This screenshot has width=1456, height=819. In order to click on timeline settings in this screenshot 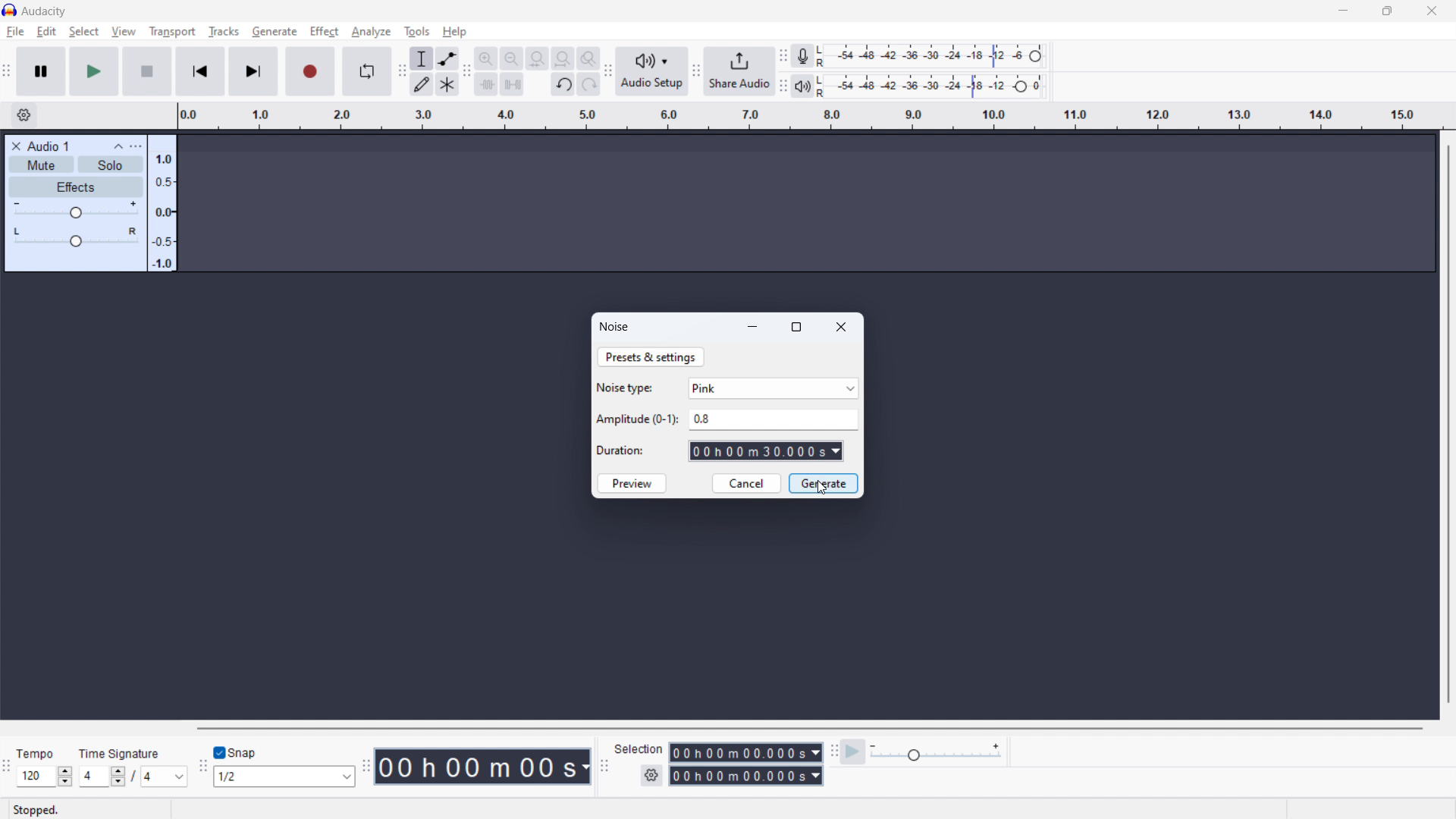, I will do `click(23, 116)`.